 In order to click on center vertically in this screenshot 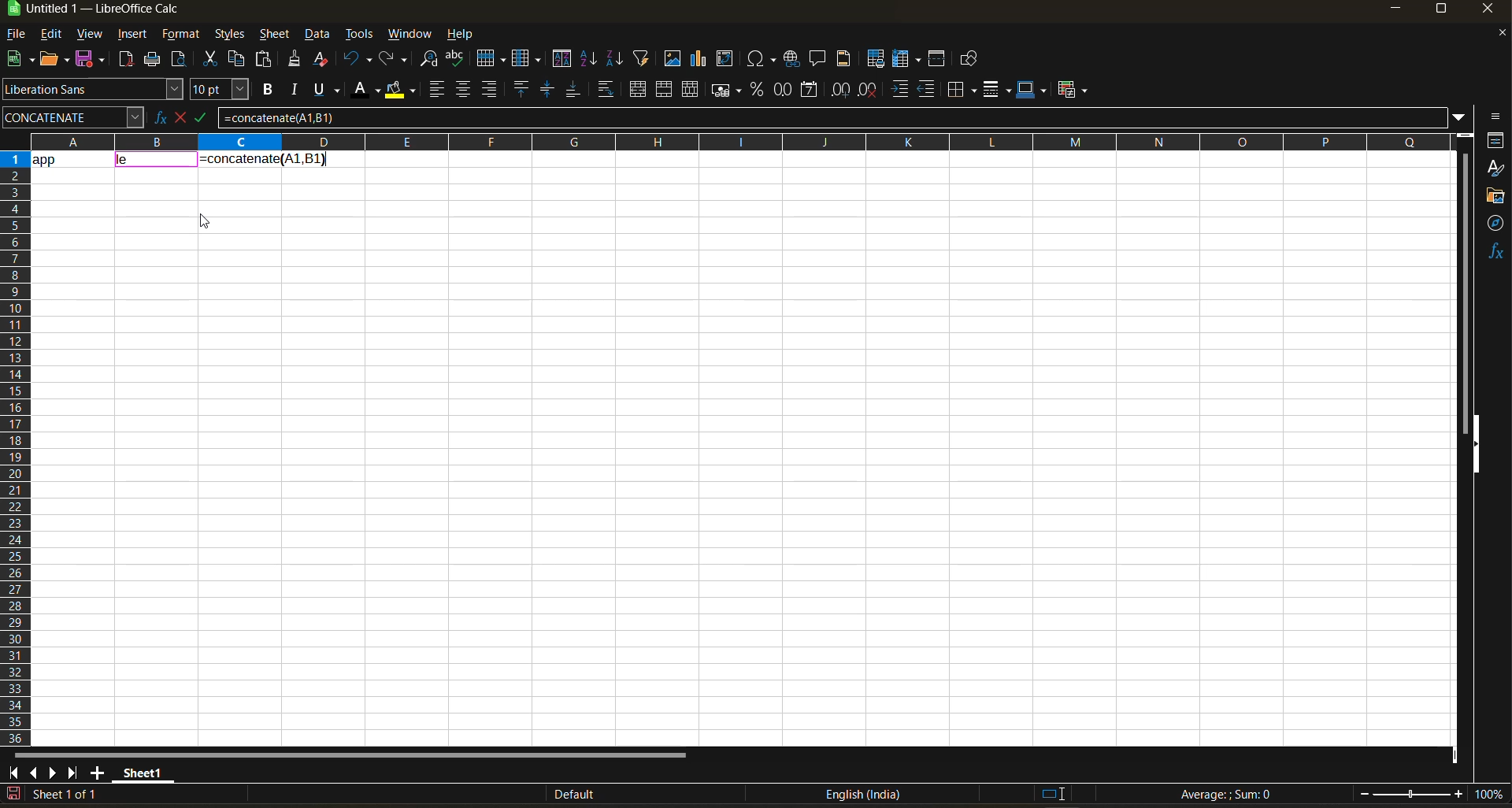, I will do `click(547, 90)`.